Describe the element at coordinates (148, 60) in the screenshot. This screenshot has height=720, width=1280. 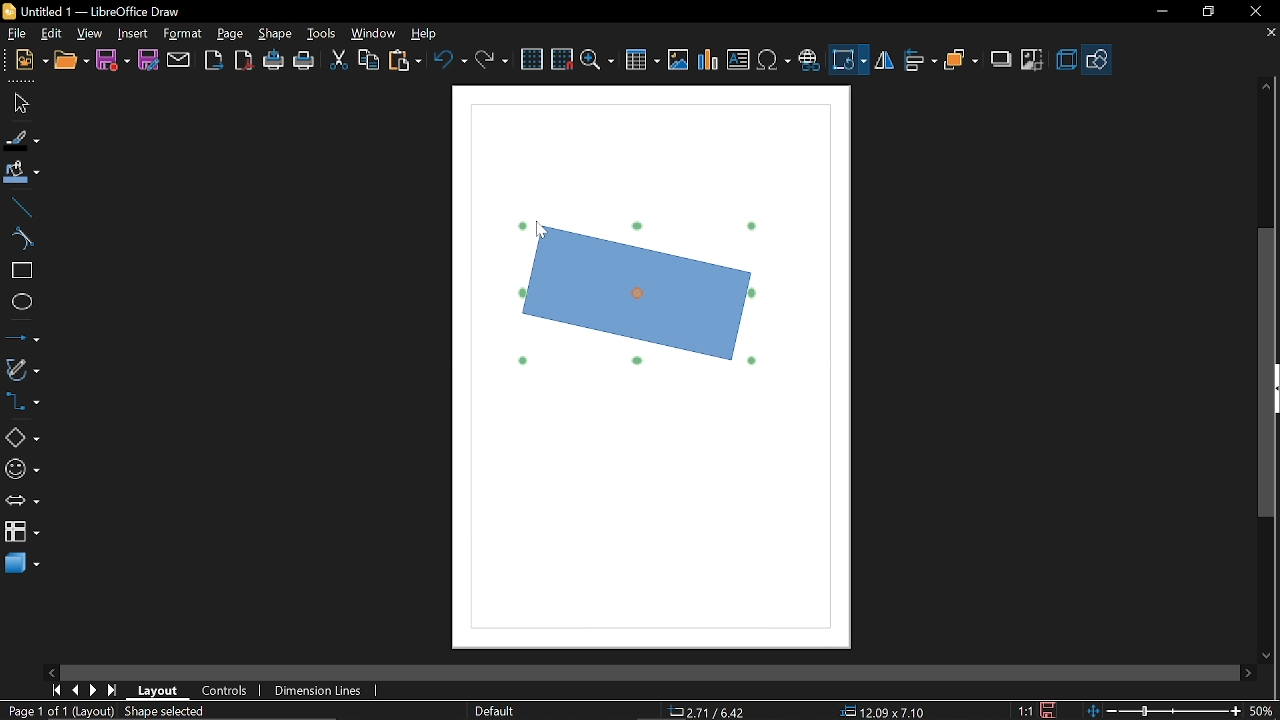
I see `save as` at that location.